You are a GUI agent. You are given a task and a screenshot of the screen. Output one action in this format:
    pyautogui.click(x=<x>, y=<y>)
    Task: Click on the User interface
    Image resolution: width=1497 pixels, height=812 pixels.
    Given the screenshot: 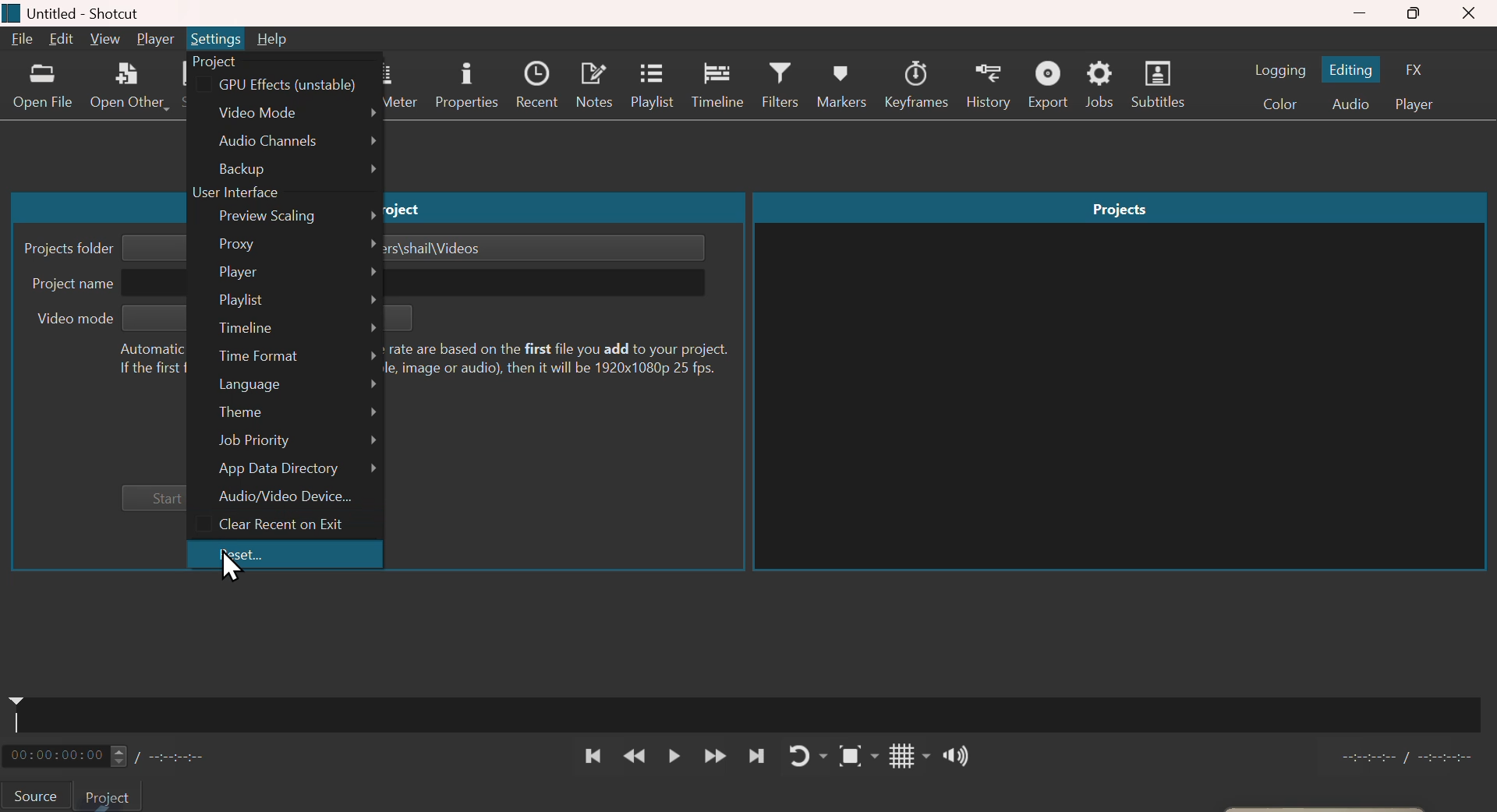 What is the action you would take?
    pyautogui.click(x=236, y=194)
    